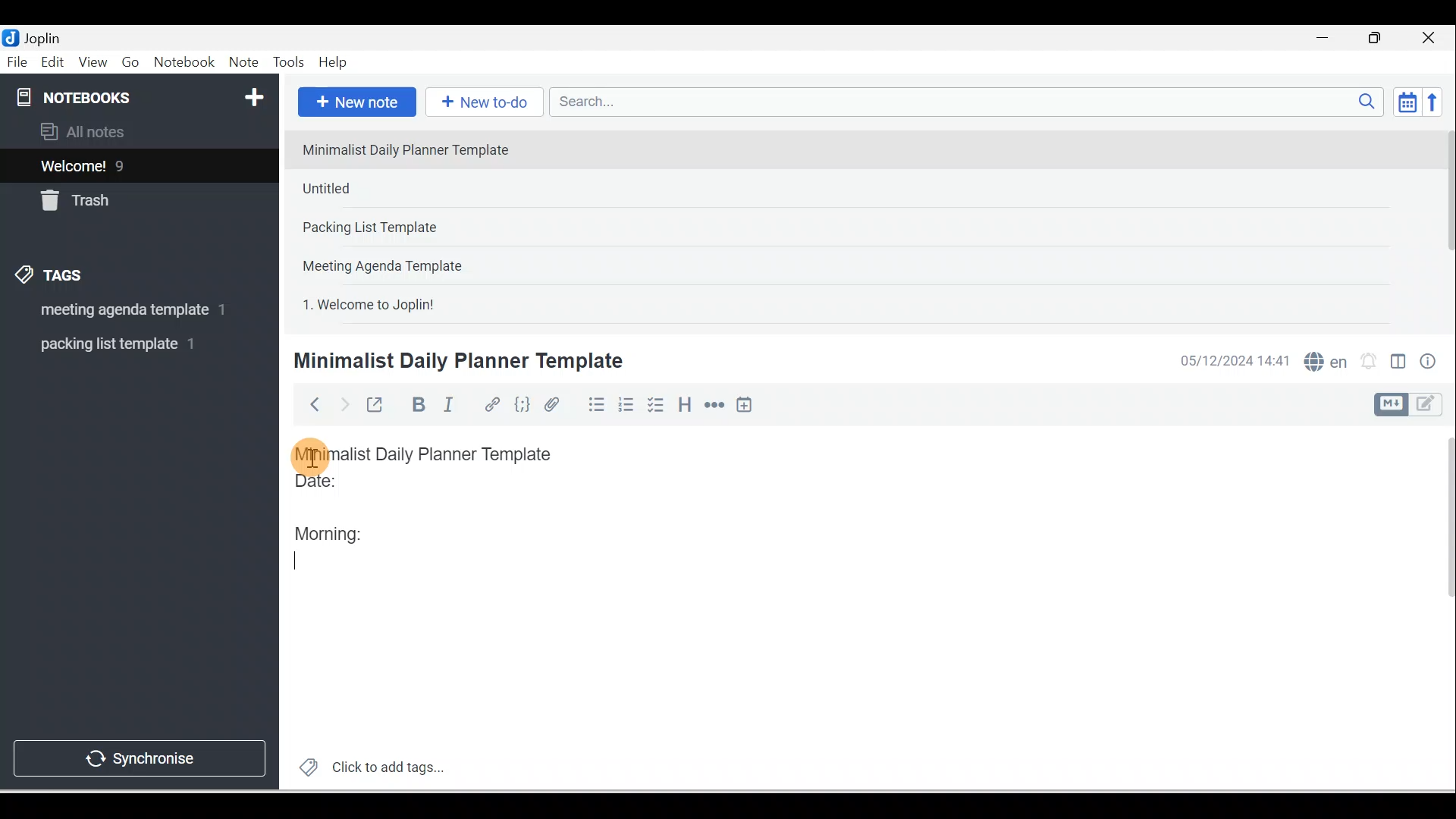 Image resolution: width=1456 pixels, height=819 pixels. Describe the element at coordinates (654, 405) in the screenshot. I see `Checkbox` at that location.